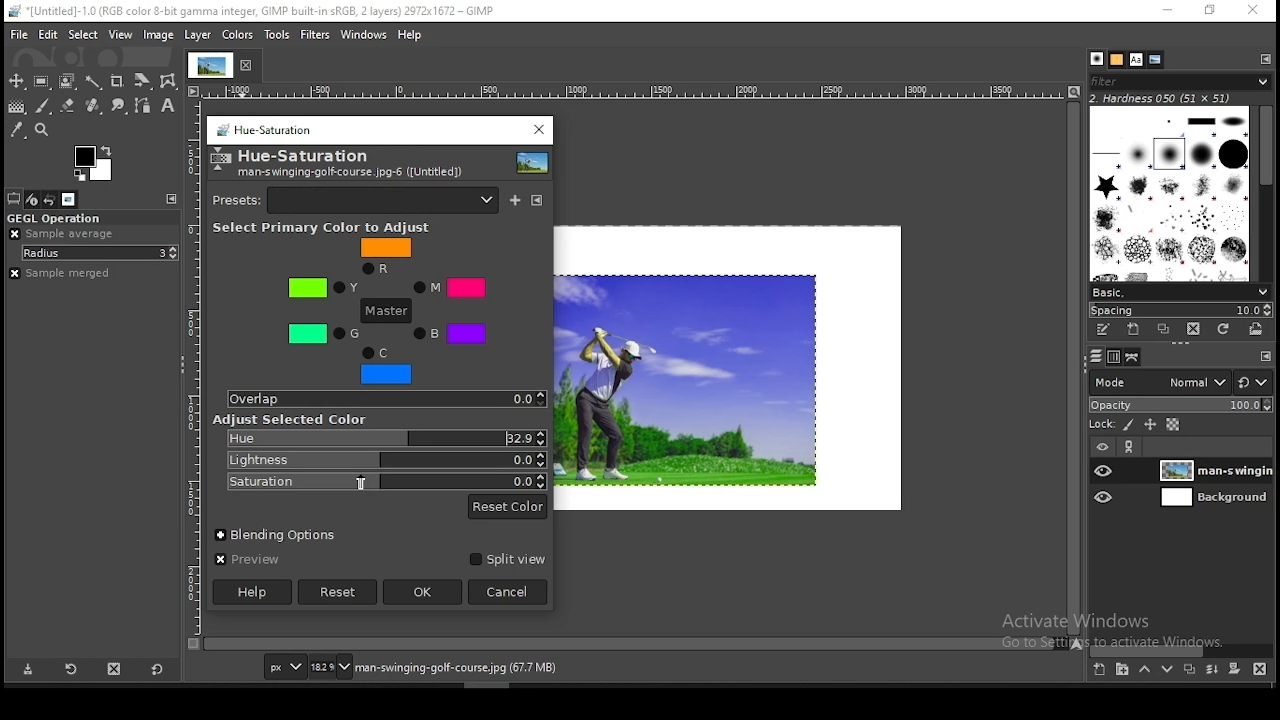 This screenshot has width=1280, height=720. What do you see at coordinates (16, 80) in the screenshot?
I see `move tool` at bounding box center [16, 80].